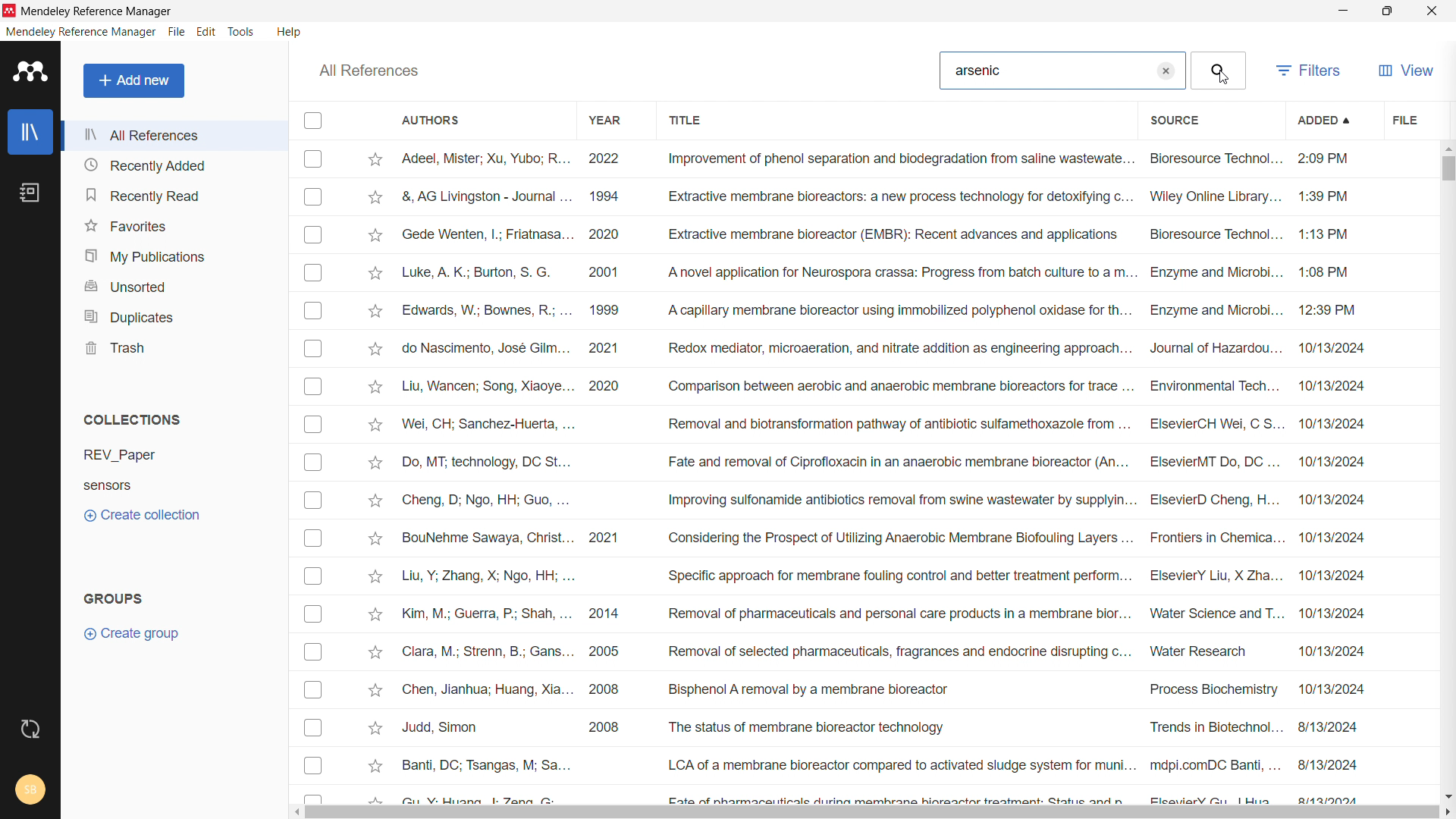  I want to click on file, so click(176, 32).